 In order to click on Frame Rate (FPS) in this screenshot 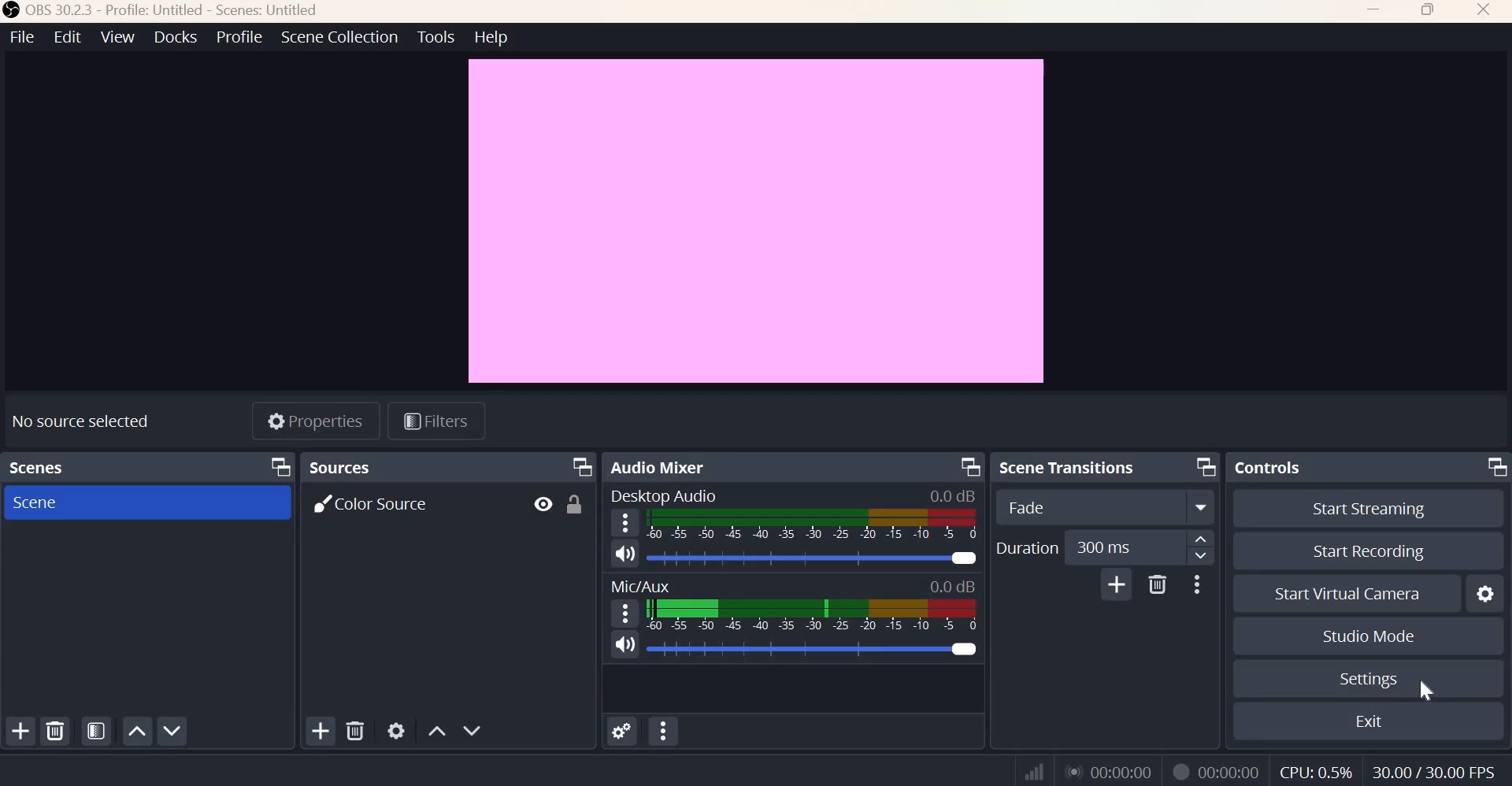, I will do `click(1438, 769)`.